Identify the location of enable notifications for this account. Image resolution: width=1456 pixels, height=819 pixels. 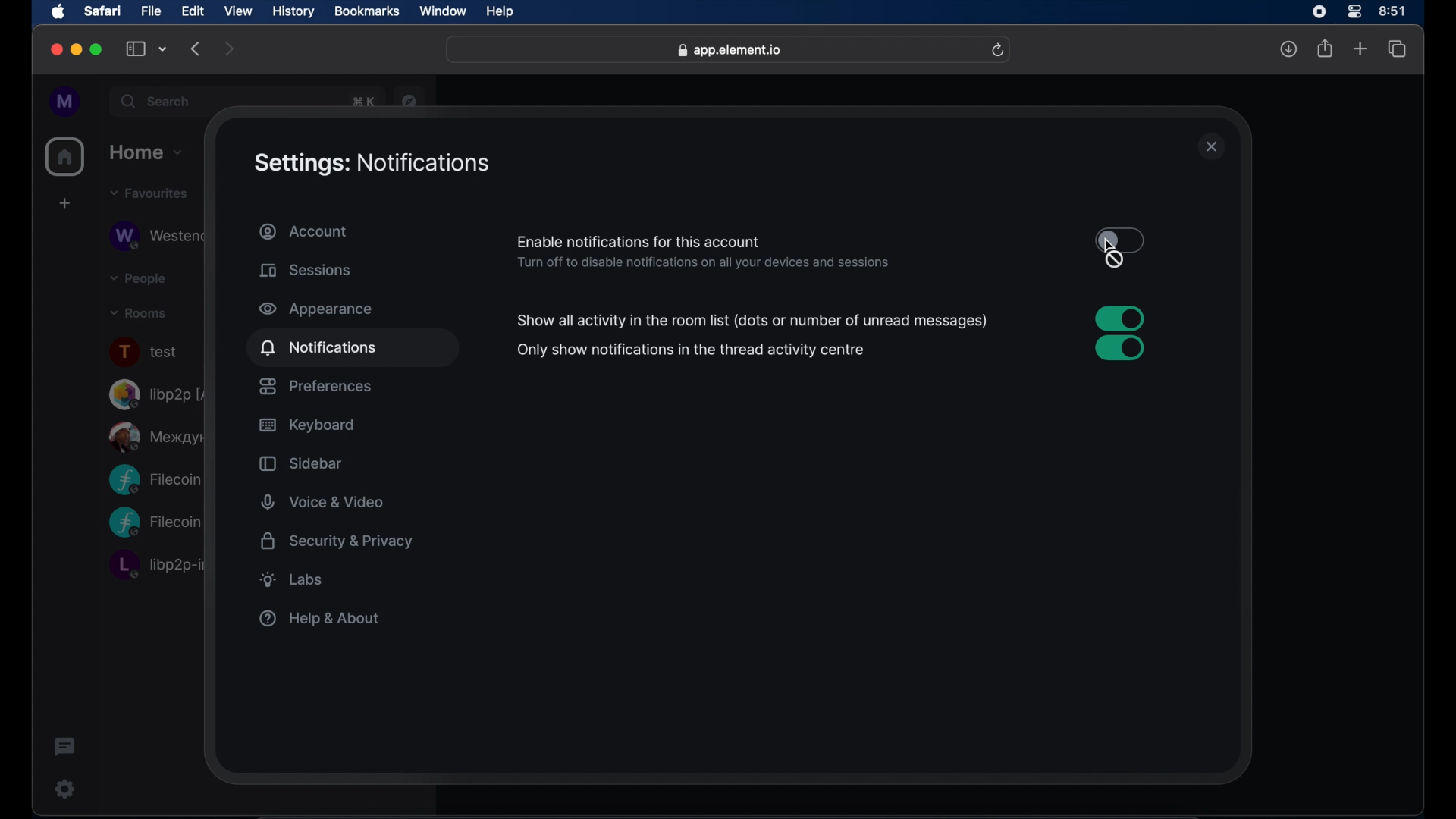
(643, 240).